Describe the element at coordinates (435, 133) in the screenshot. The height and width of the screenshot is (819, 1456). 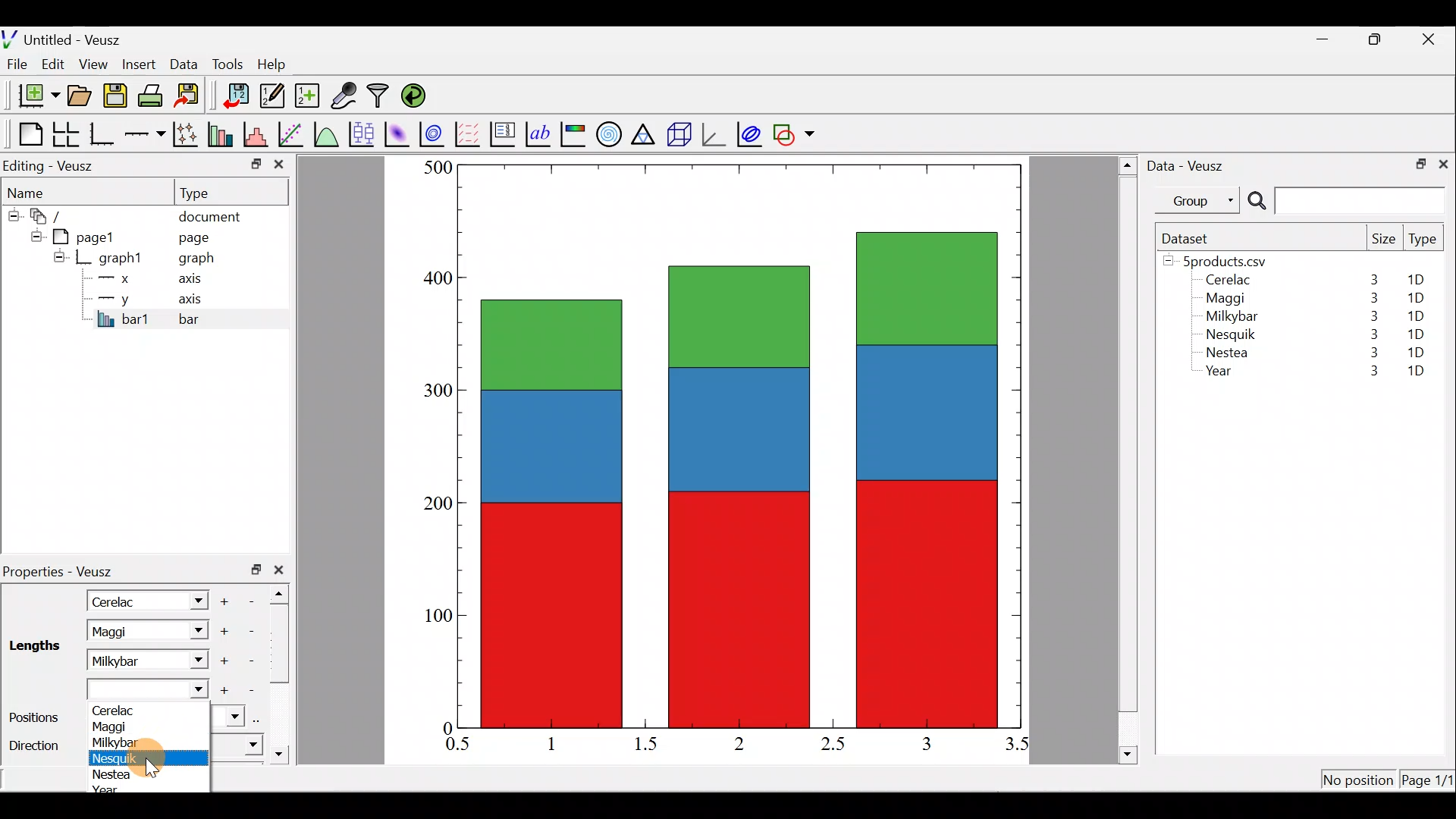
I see `Plot a 2d dataset as contours` at that location.